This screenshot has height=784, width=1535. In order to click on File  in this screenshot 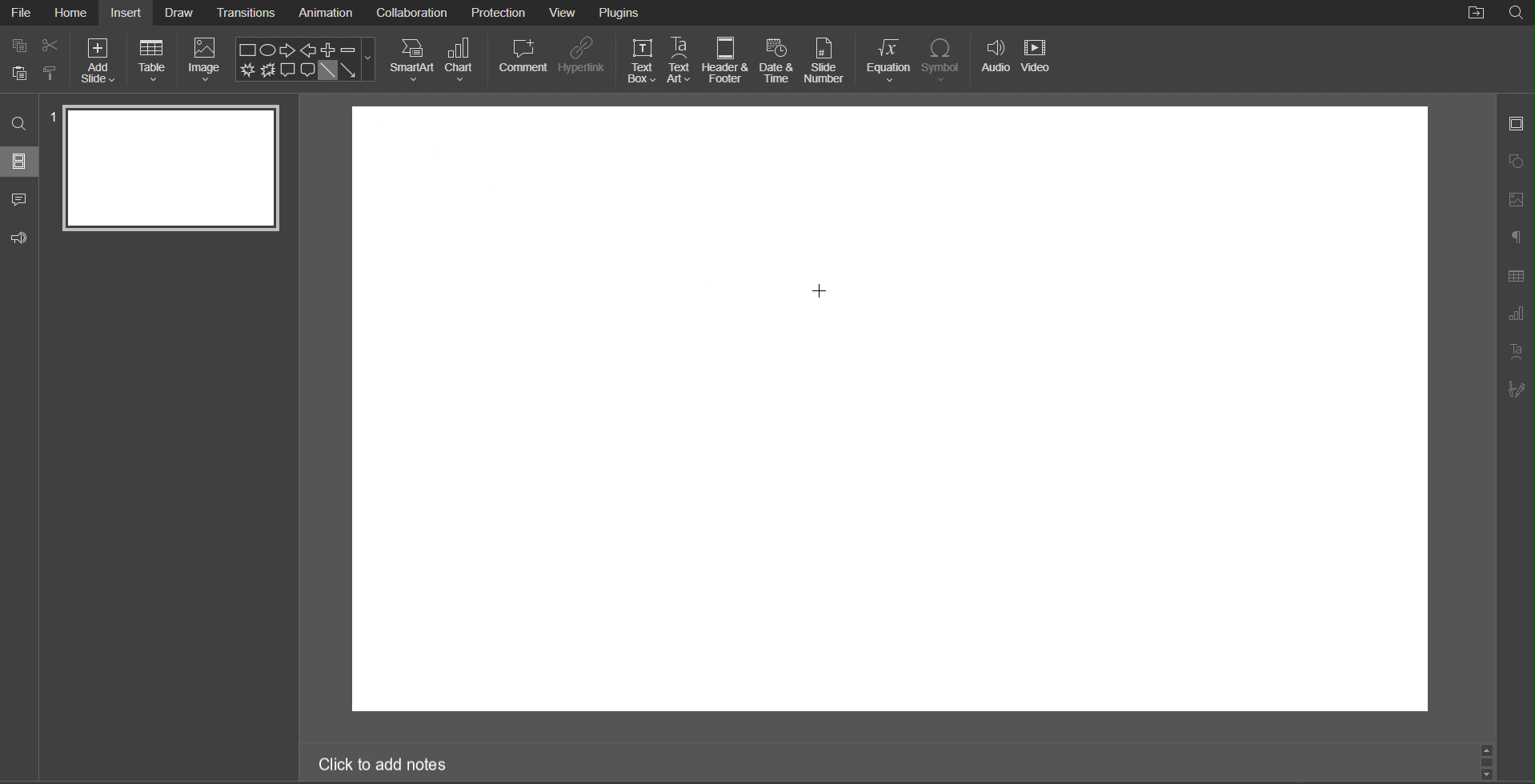, I will do `click(22, 14)`.